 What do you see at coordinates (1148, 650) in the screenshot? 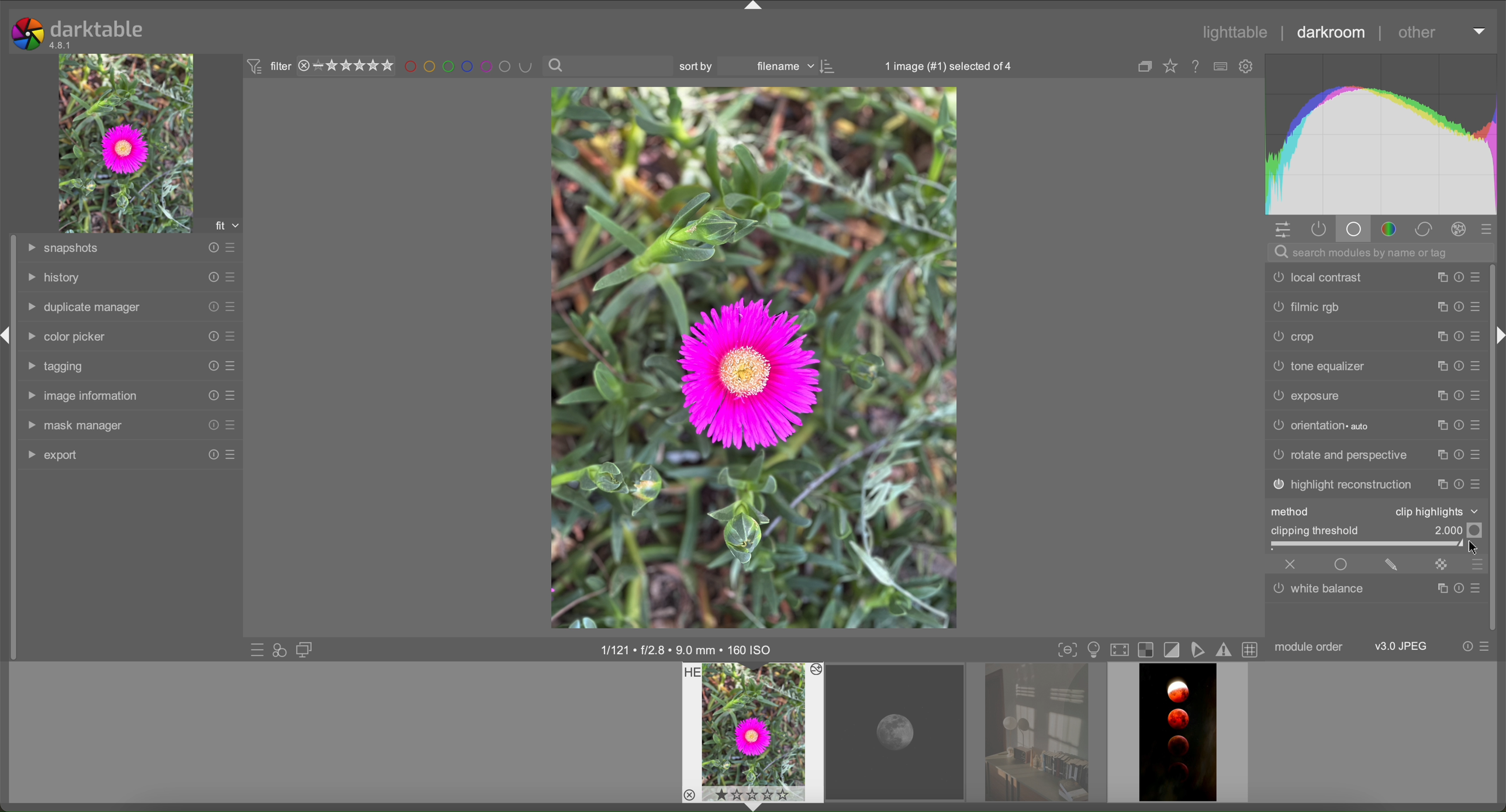
I see `overexposure` at bounding box center [1148, 650].